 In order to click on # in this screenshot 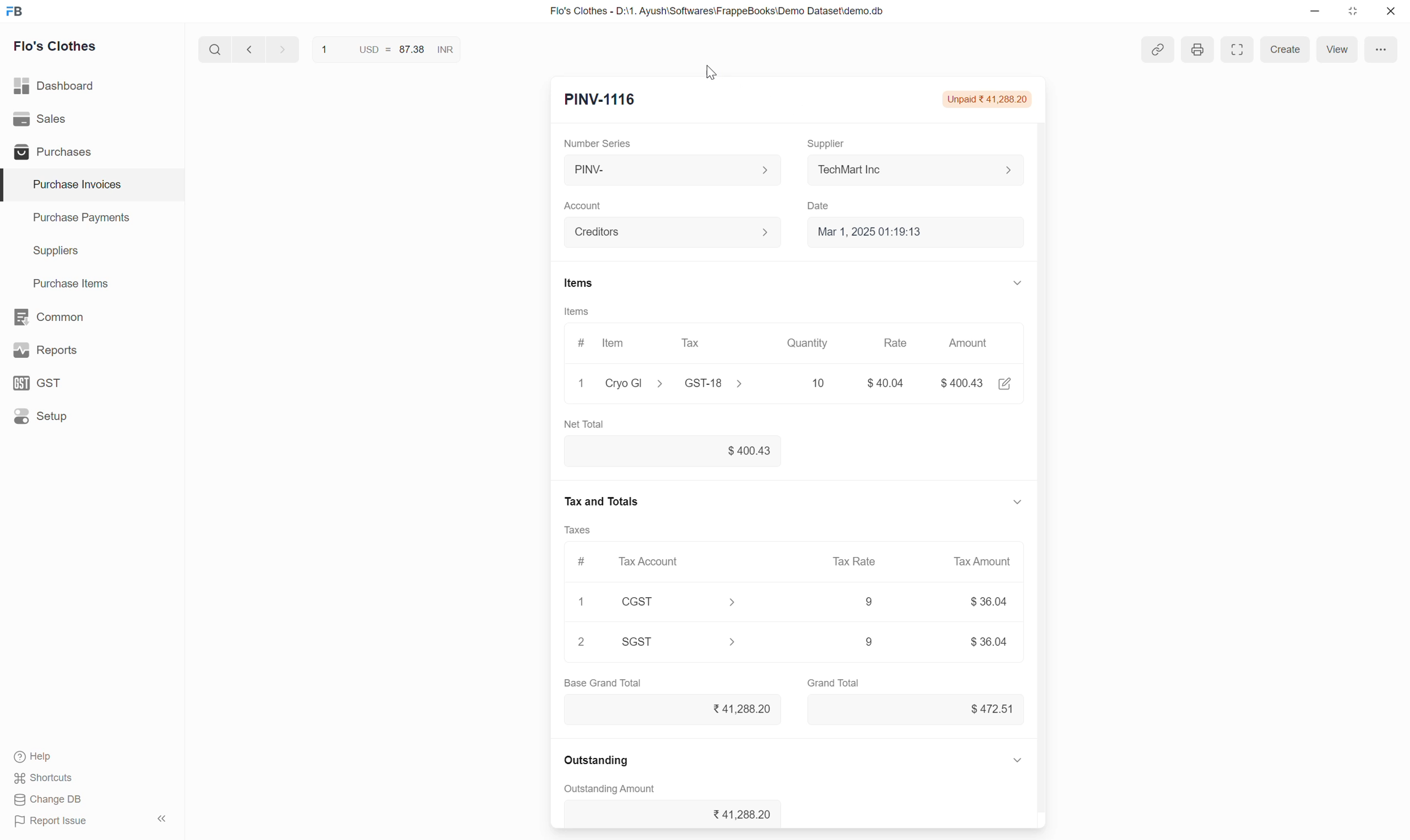, I will do `click(582, 564)`.